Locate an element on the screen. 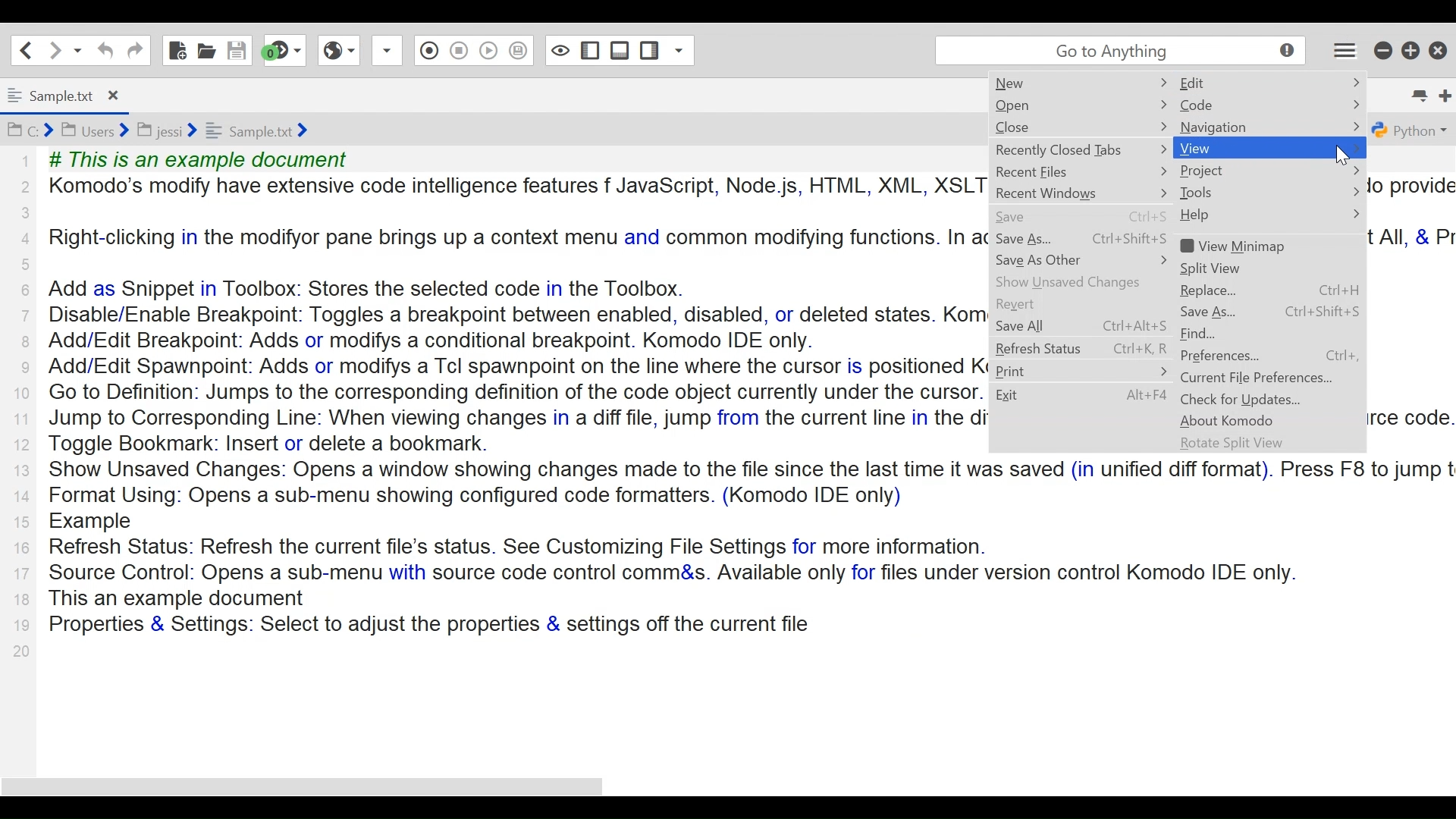 This screenshot has width=1456, height=819. Recent Files is located at coordinates (1050, 173).